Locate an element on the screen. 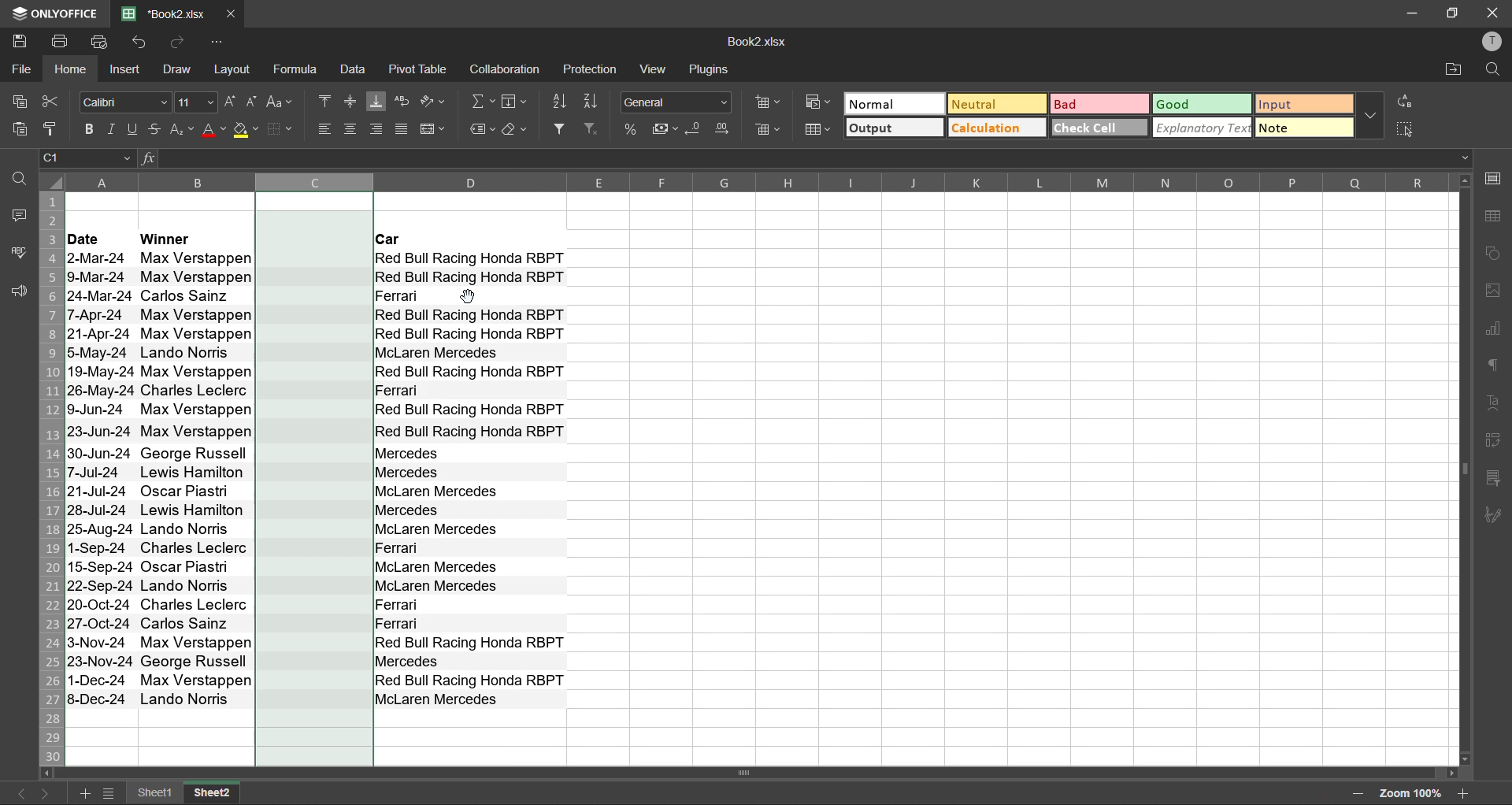 This screenshot has width=1512, height=805. previous is located at coordinates (16, 791).